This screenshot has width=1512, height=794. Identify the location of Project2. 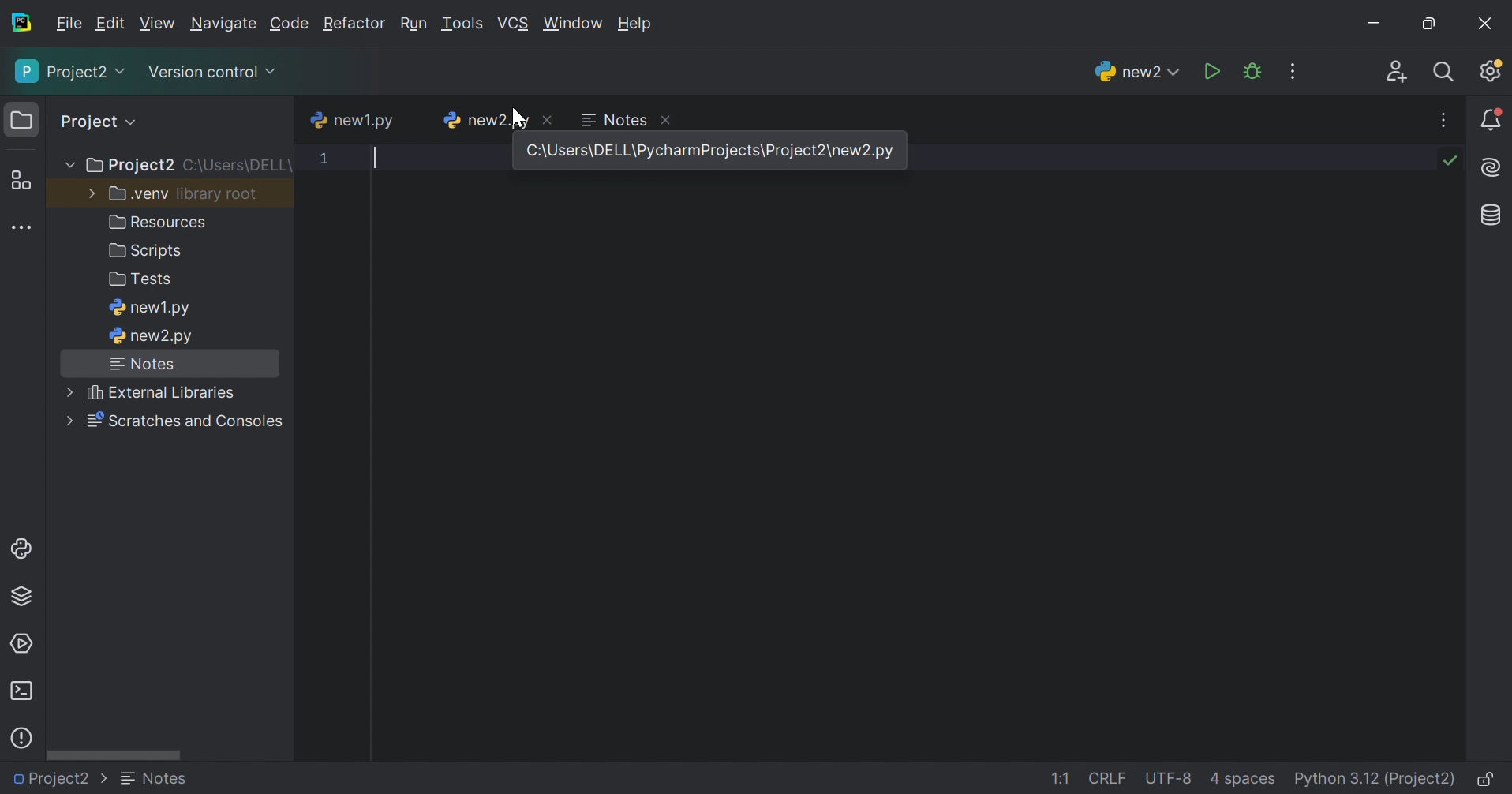
(61, 780).